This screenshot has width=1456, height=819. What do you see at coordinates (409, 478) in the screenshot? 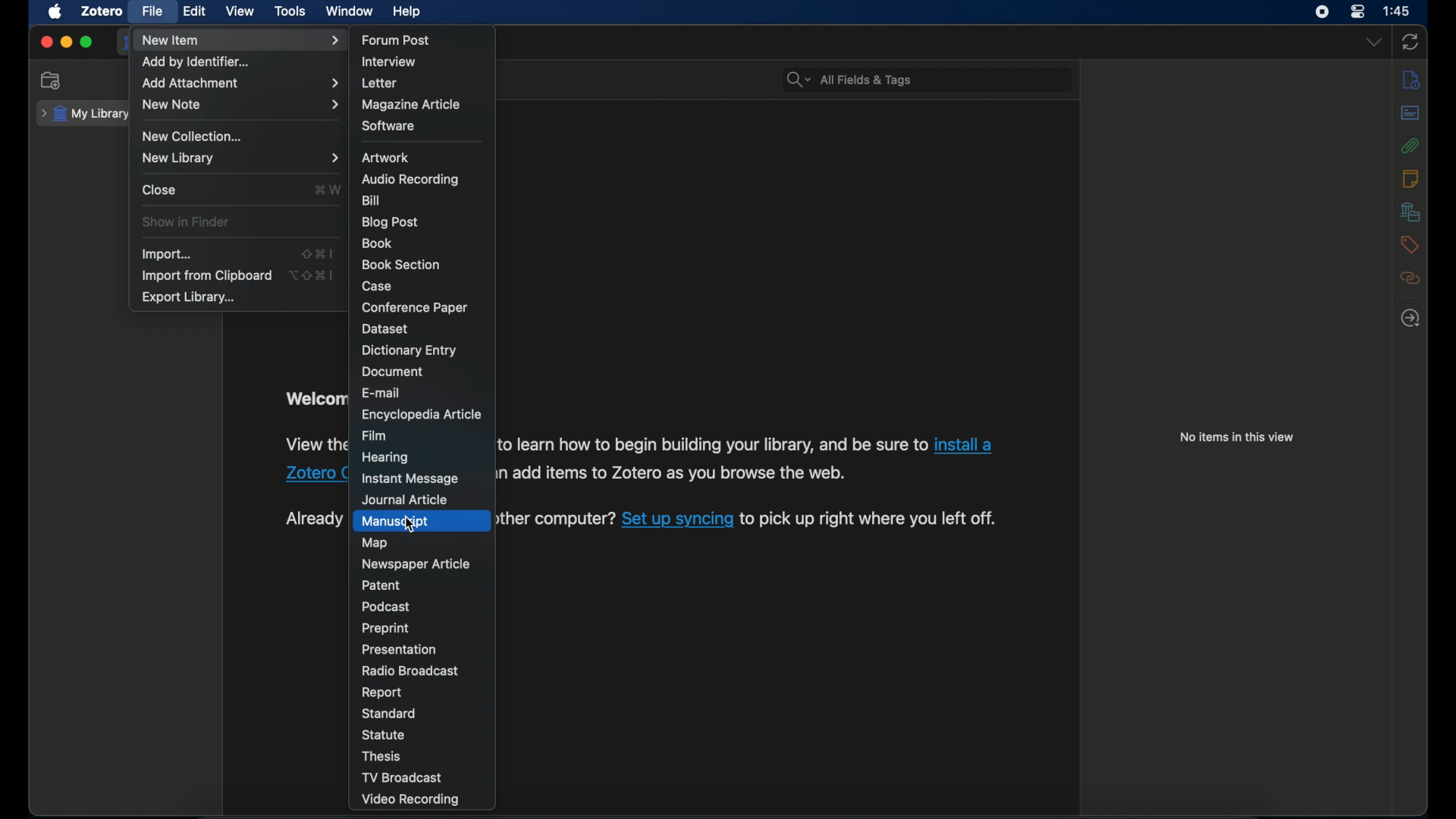
I see `instant message` at bounding box center [409, 478].